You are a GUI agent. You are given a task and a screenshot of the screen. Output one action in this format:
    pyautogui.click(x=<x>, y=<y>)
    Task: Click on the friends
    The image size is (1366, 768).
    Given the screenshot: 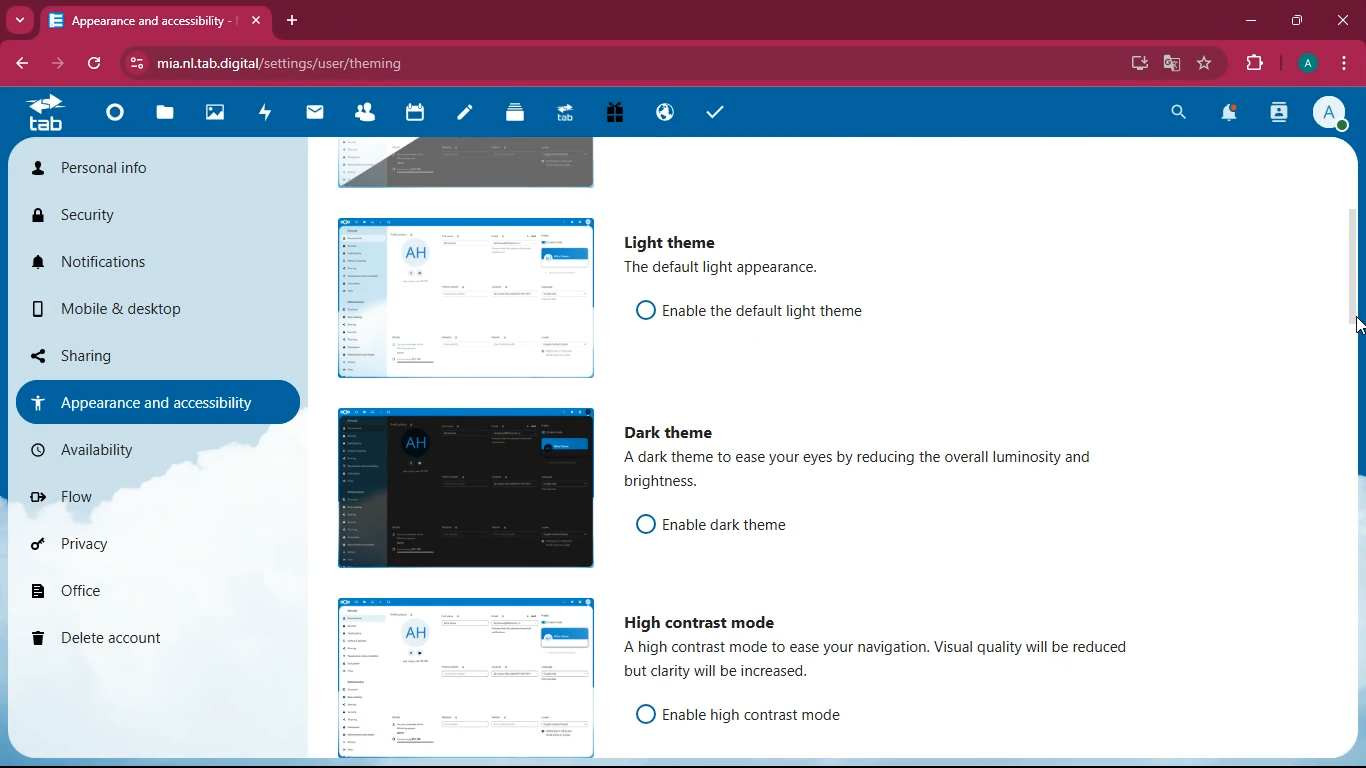 What is the action you would take?
    pyautogui.click(x=363, y=115)
    